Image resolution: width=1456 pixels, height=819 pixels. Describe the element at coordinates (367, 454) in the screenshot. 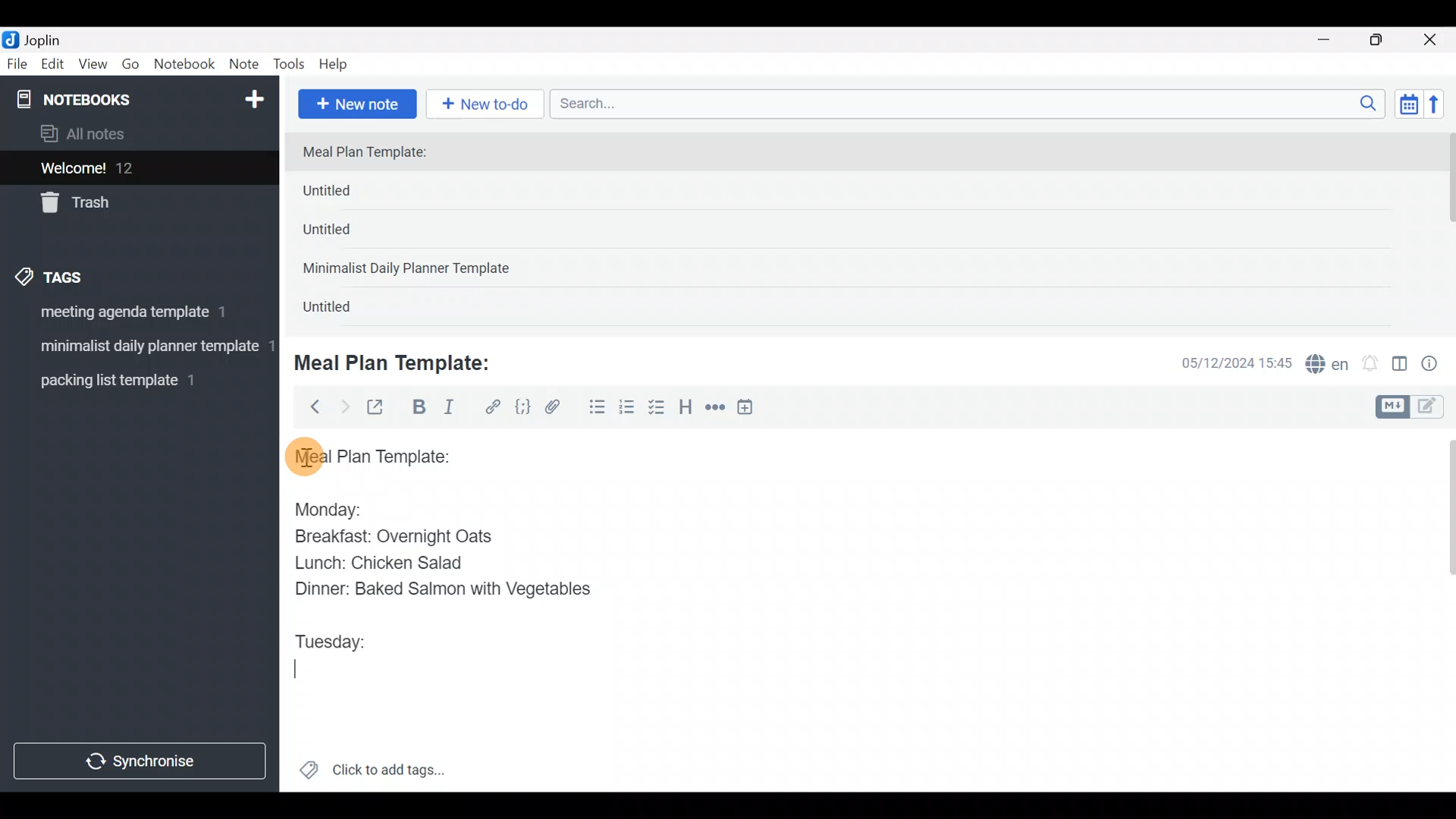

I see `Meal plan template` at that location.